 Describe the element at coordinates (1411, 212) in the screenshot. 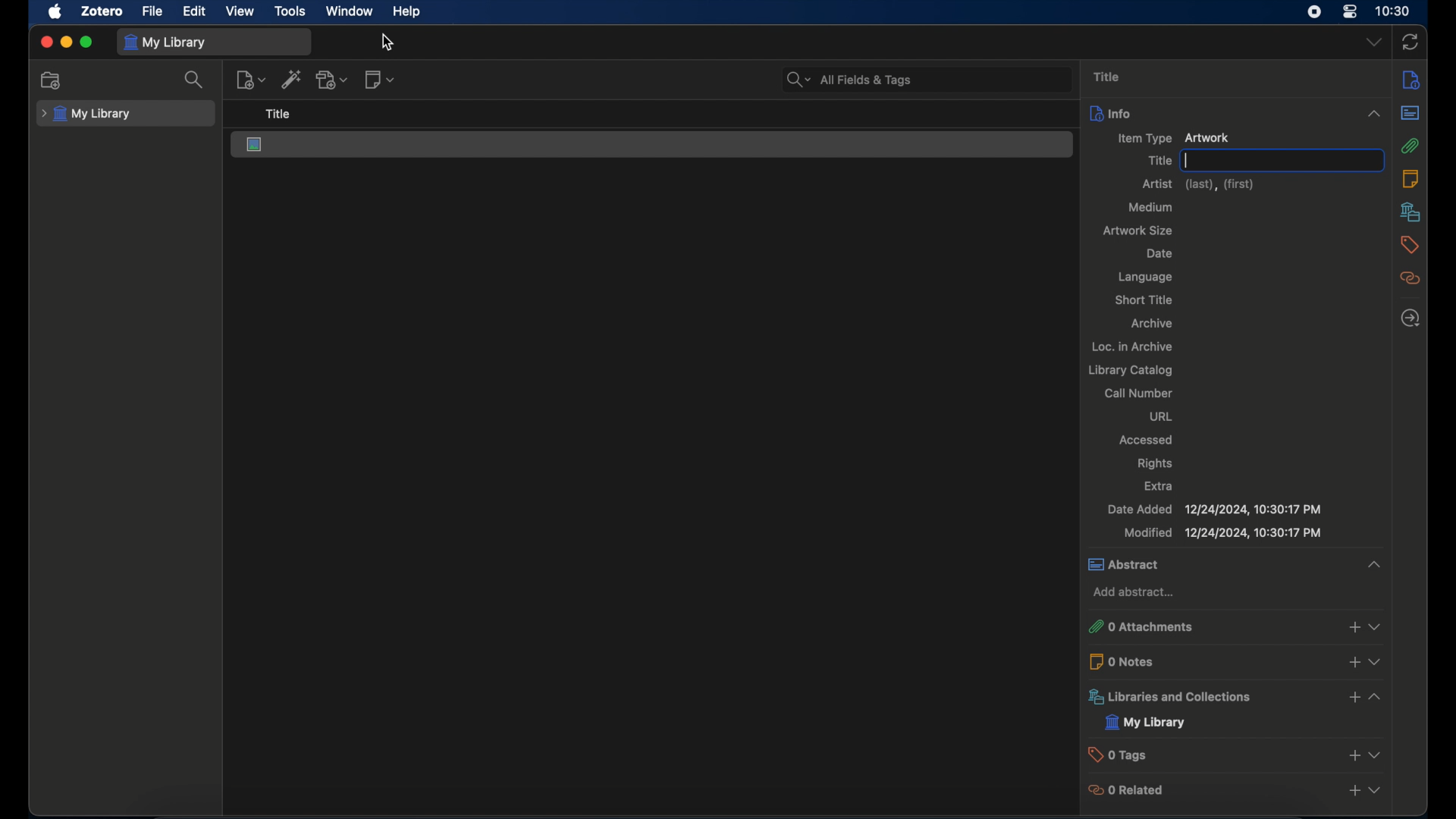

I see `libraries` at that location.